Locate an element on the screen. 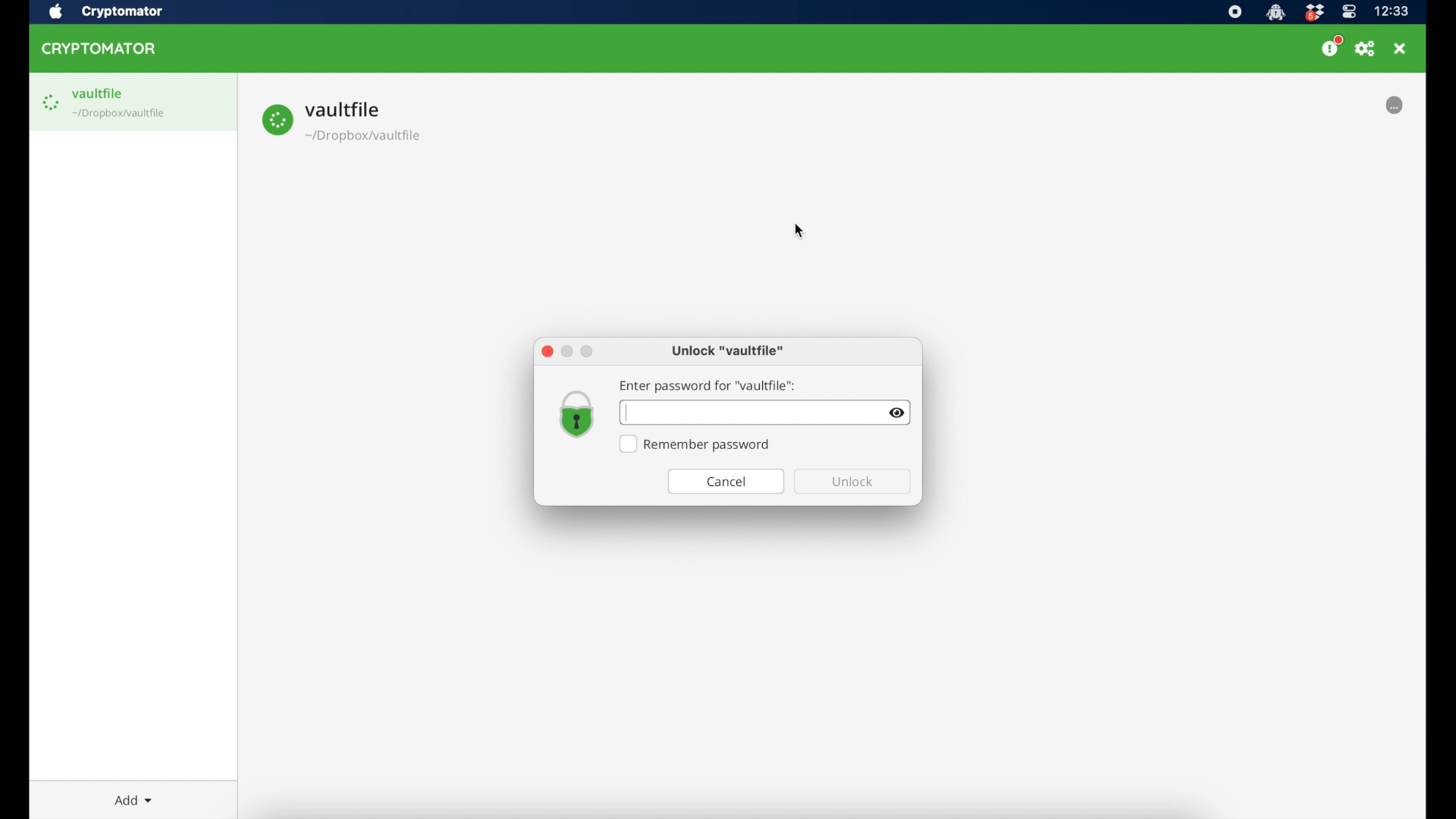 The height and width of the screenshot is (819, 1456). unlock "vaultfile" is located at coordinates (729, 351).